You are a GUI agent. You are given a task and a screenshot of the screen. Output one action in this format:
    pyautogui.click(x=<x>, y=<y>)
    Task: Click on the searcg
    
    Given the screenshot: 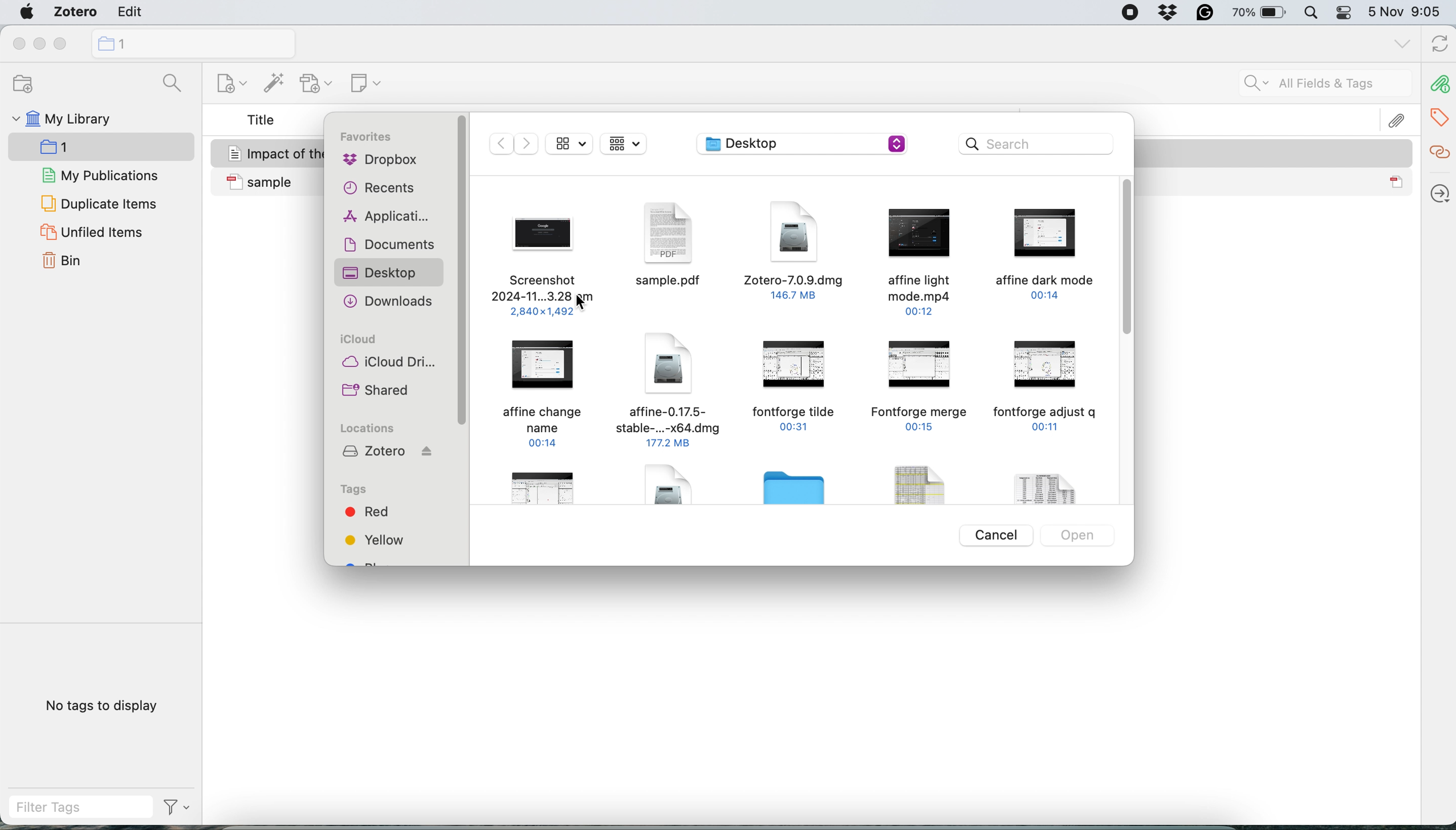 What is the action you would take?
    pyautogui.click(x=168, y=86)
    